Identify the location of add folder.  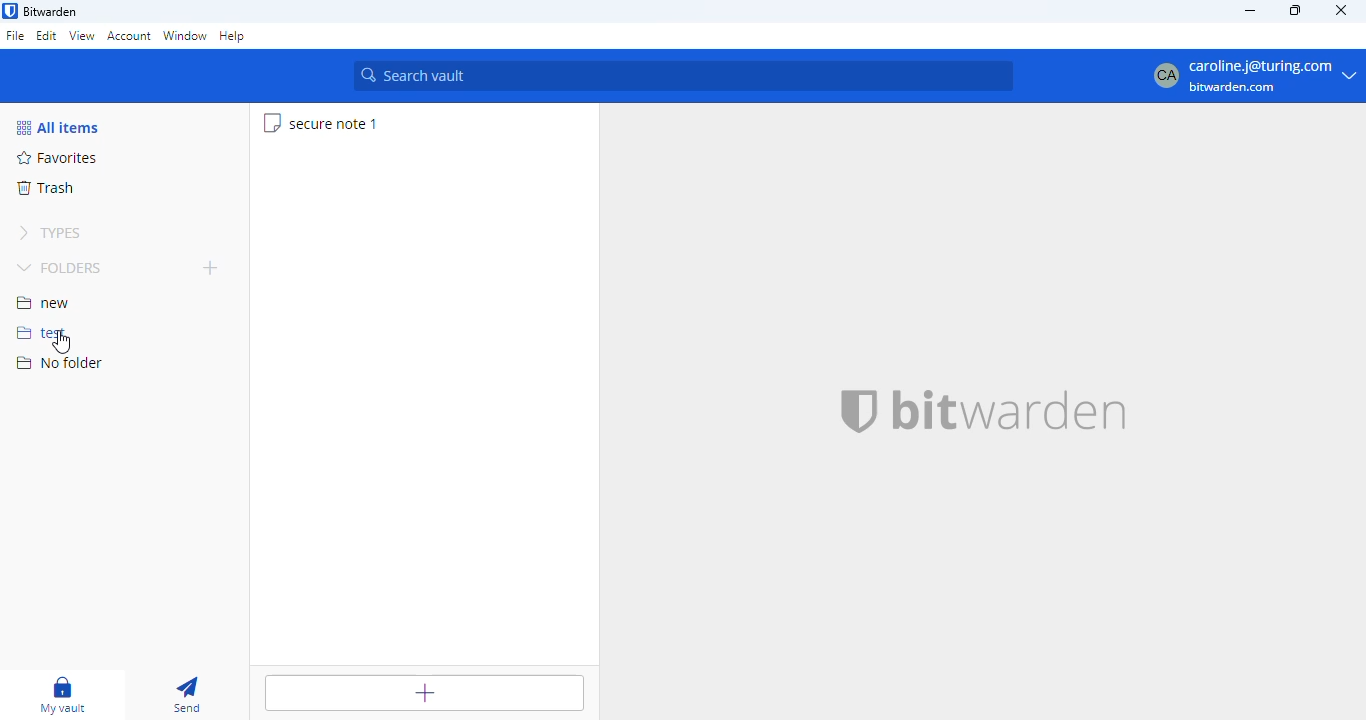
(210, 268).